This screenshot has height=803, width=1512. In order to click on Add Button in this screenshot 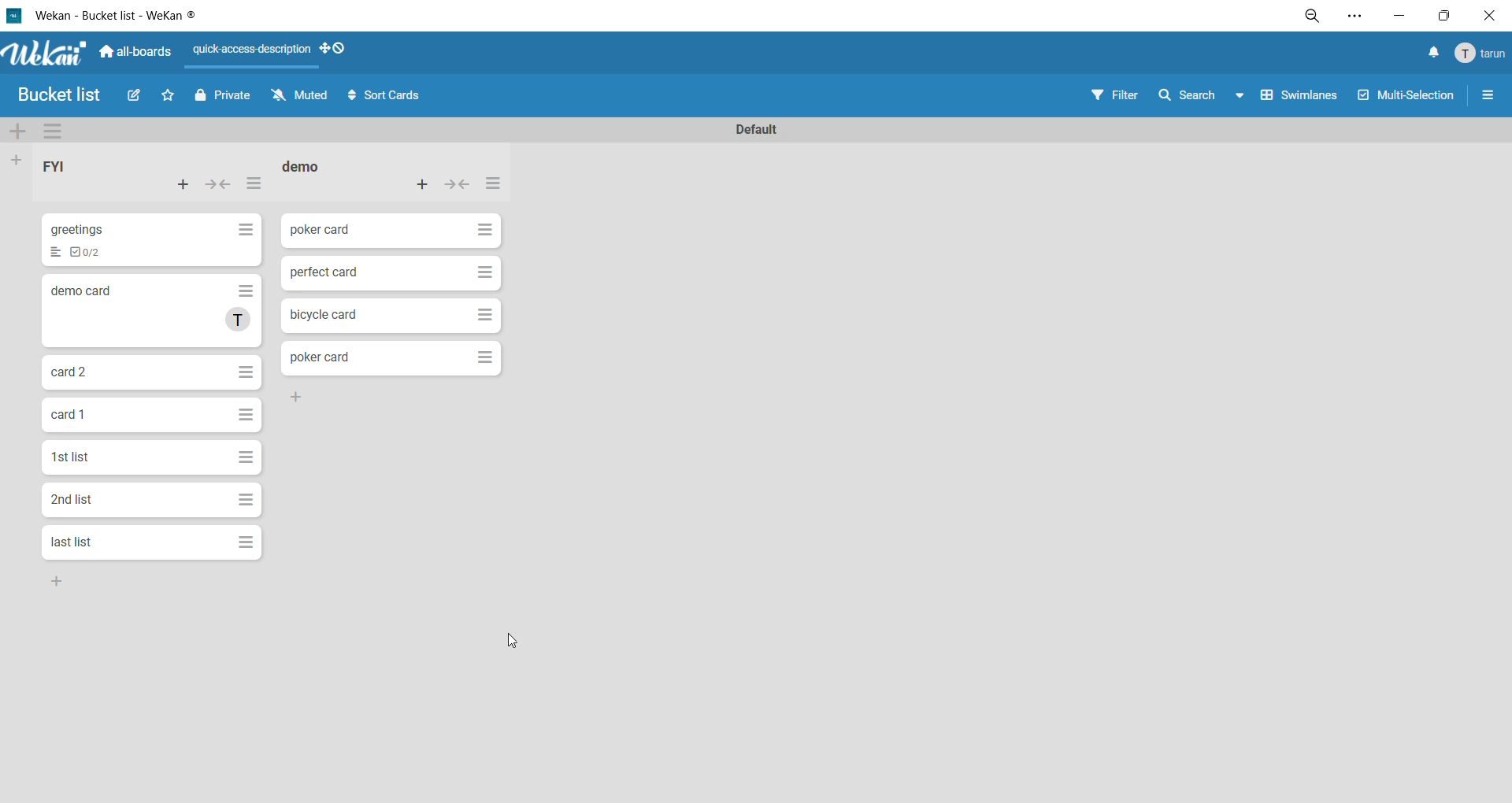, I will do `click(297, 398)`.